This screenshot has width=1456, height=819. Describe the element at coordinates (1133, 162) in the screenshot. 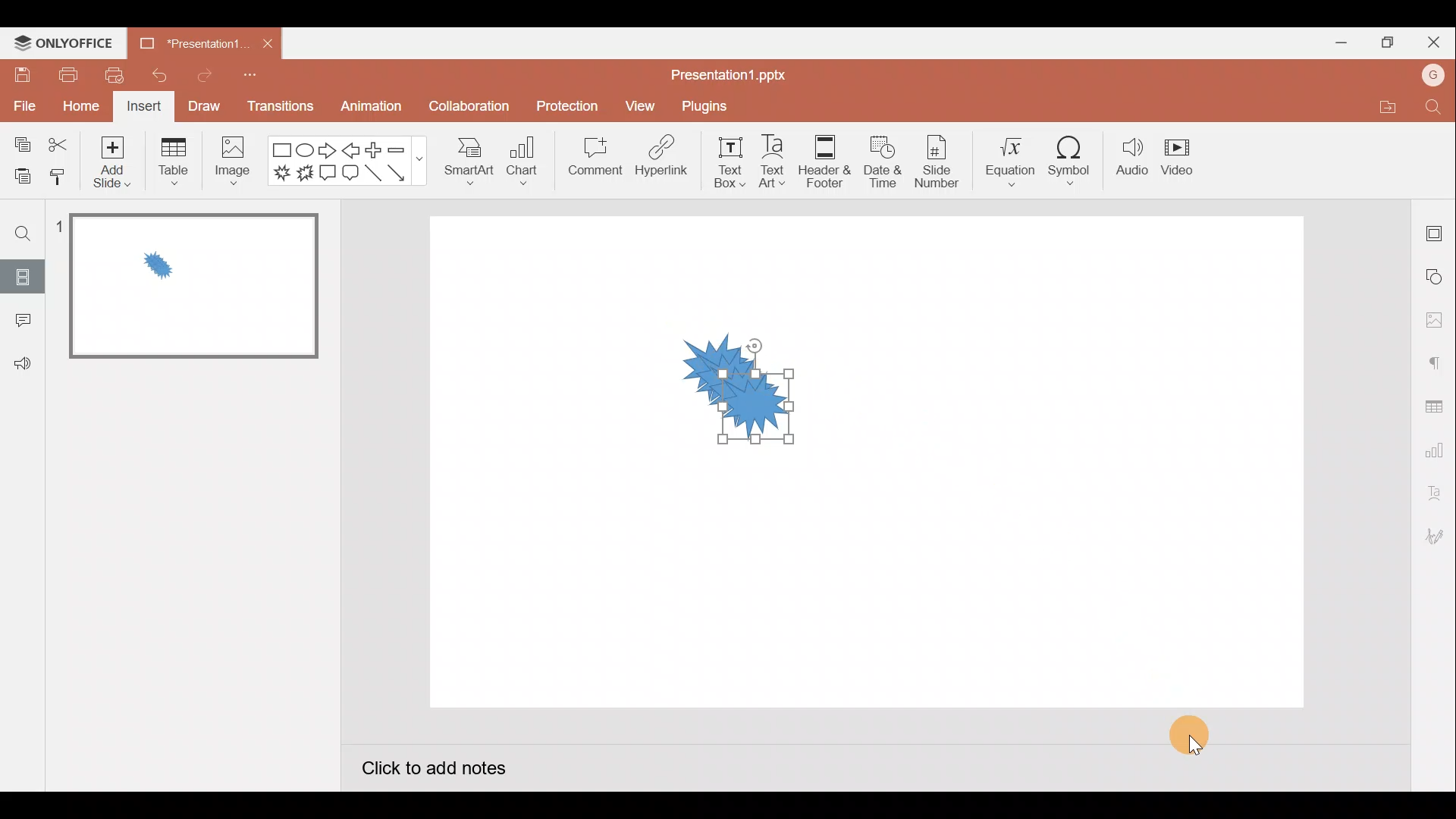

I see `Audio` at that location.